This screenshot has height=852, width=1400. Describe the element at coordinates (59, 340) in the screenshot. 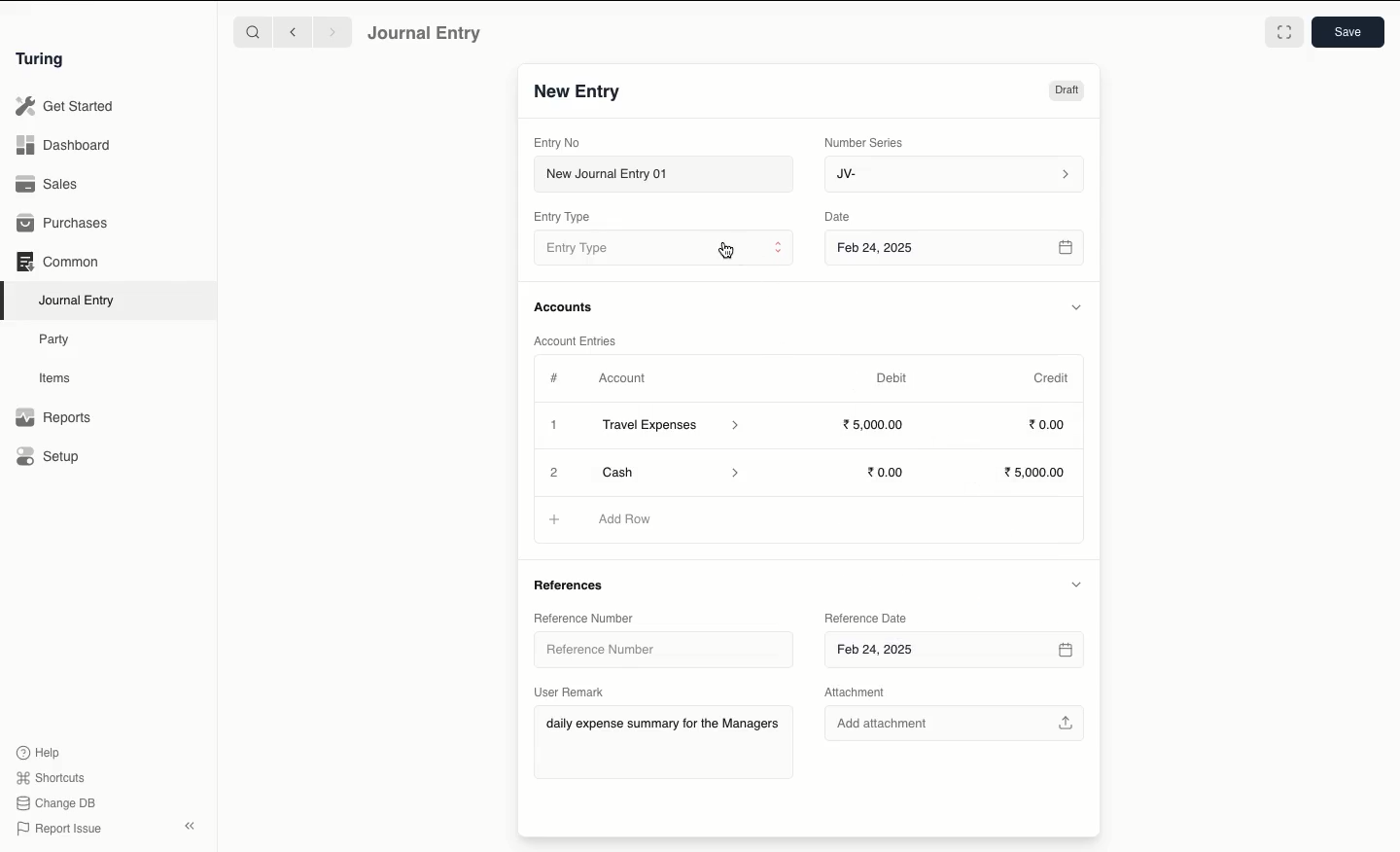

I see `Party` at that location.